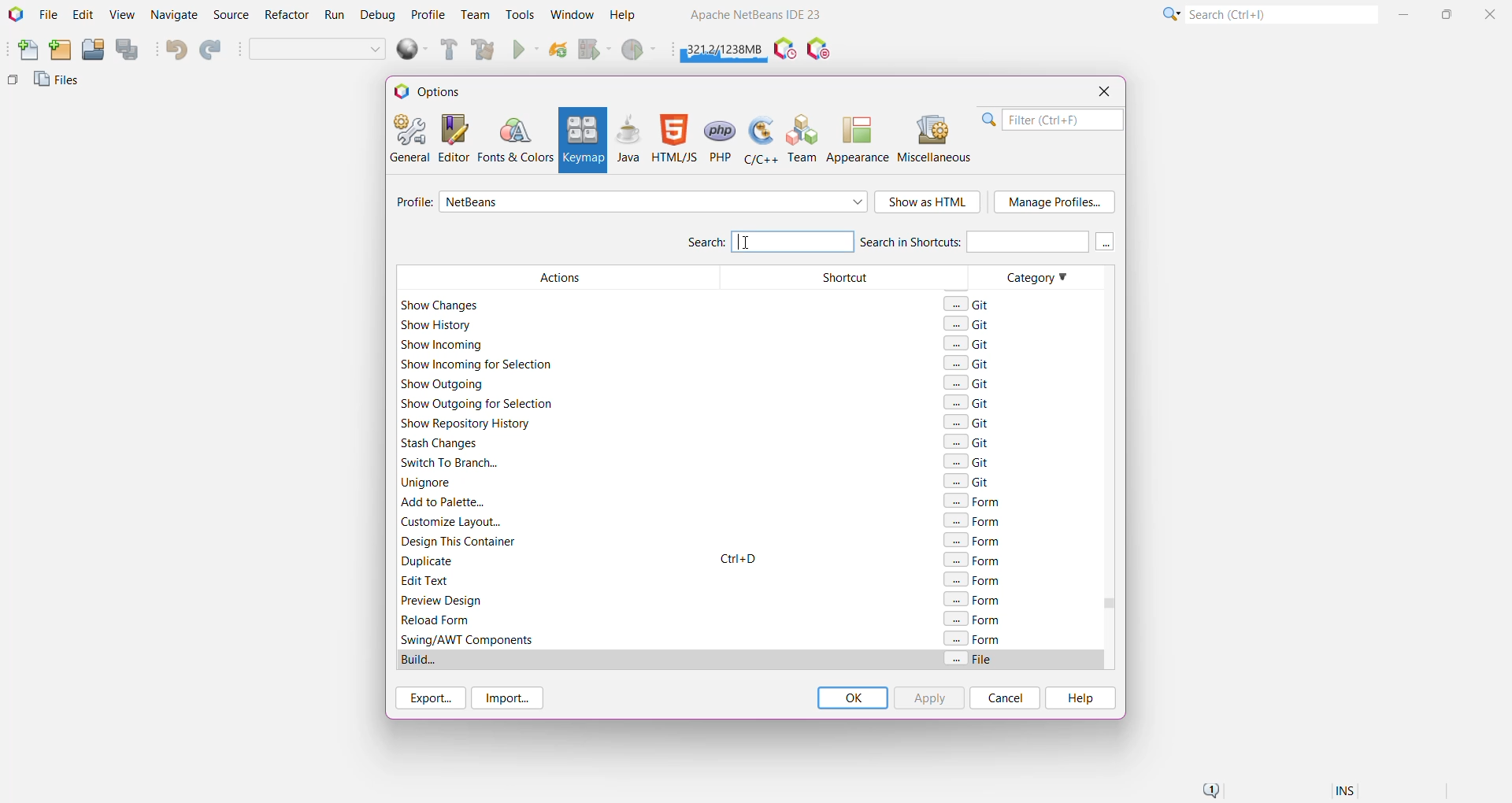 This screenshot has width=1512, height=803. I want to click on , so click(13, 83).